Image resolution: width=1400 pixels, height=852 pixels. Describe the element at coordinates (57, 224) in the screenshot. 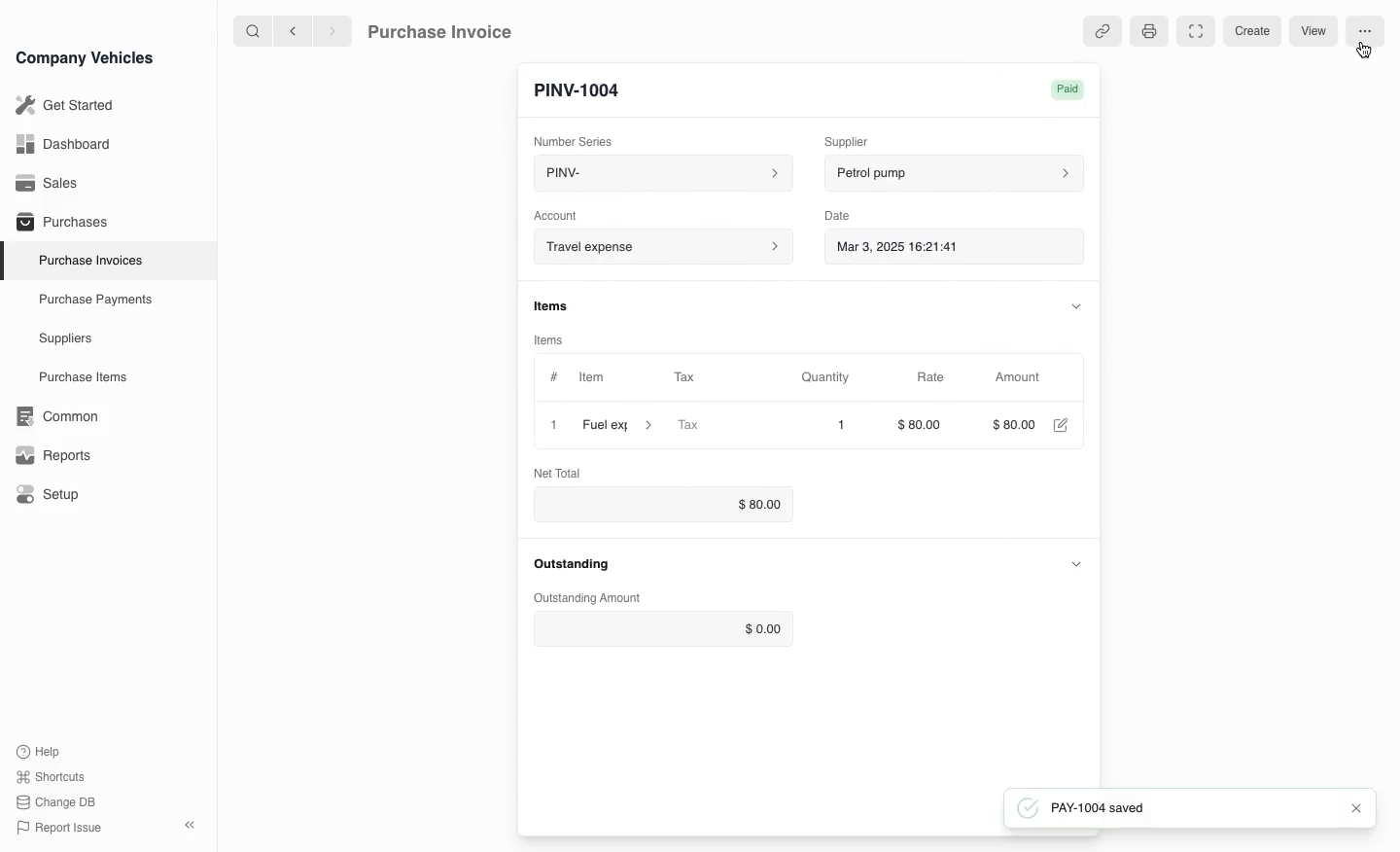

I see `Purchases` at that location.